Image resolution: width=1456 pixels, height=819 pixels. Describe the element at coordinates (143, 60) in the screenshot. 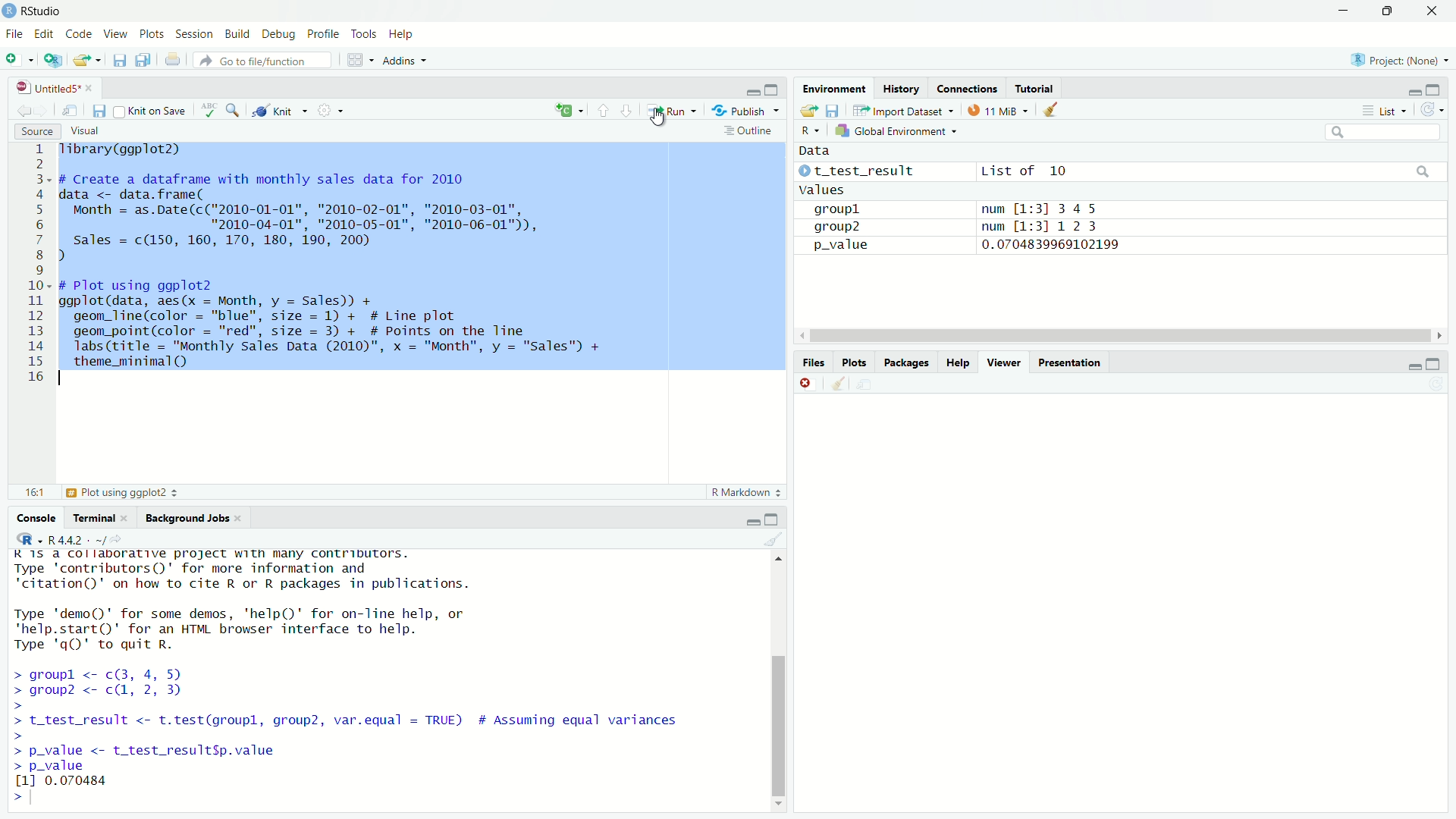

I see `save all open document` at that location.